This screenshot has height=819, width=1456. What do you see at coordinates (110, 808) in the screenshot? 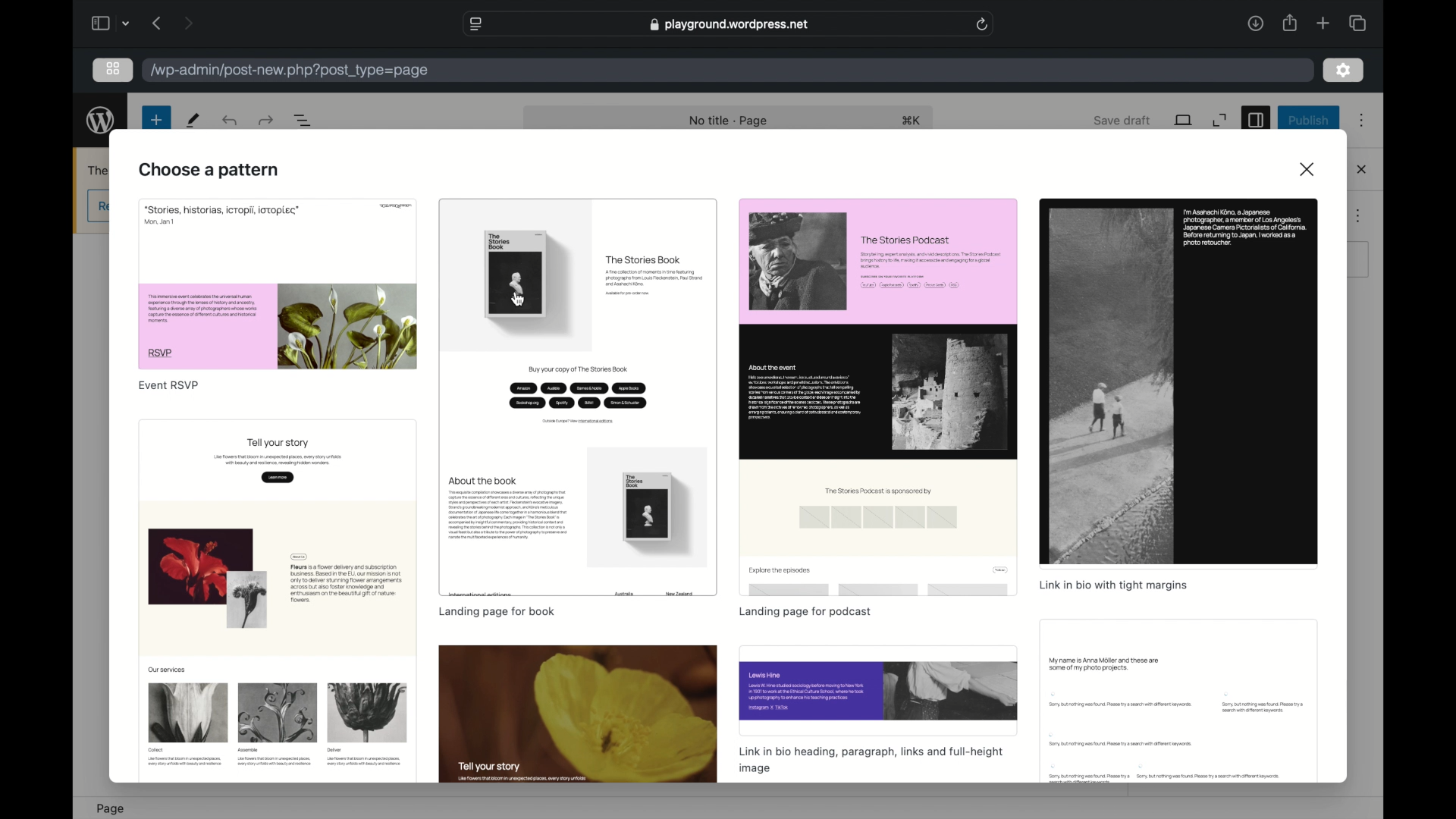
I see `page` at bounding box center [110, 808].